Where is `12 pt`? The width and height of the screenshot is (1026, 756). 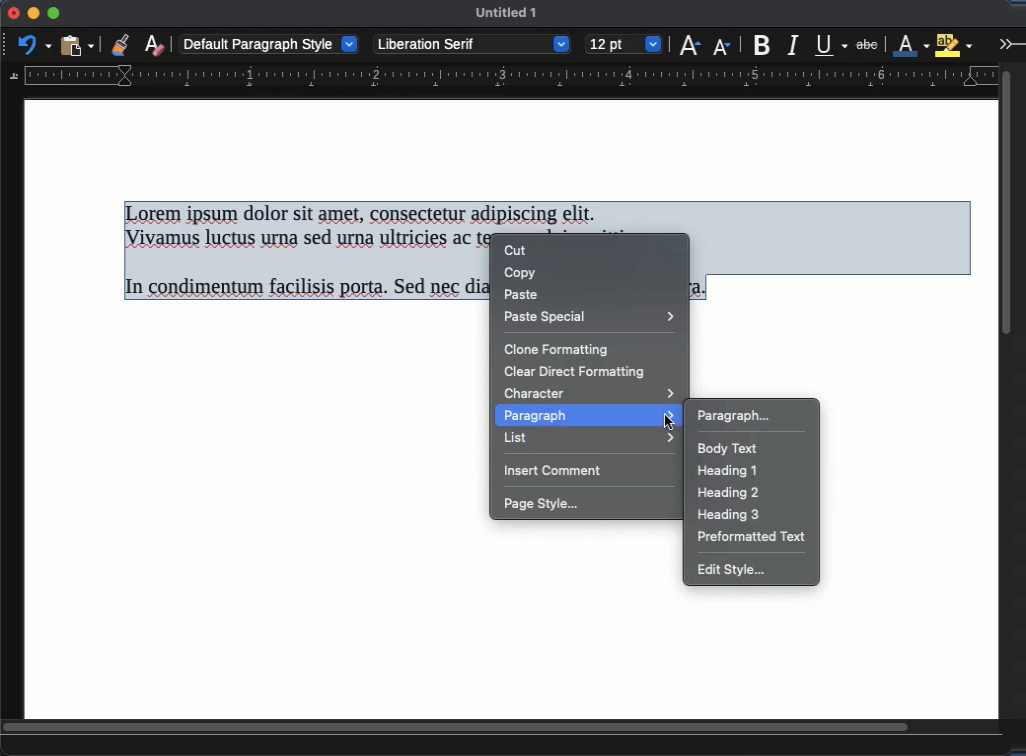
12 pt is located at coordinates (624, 45).